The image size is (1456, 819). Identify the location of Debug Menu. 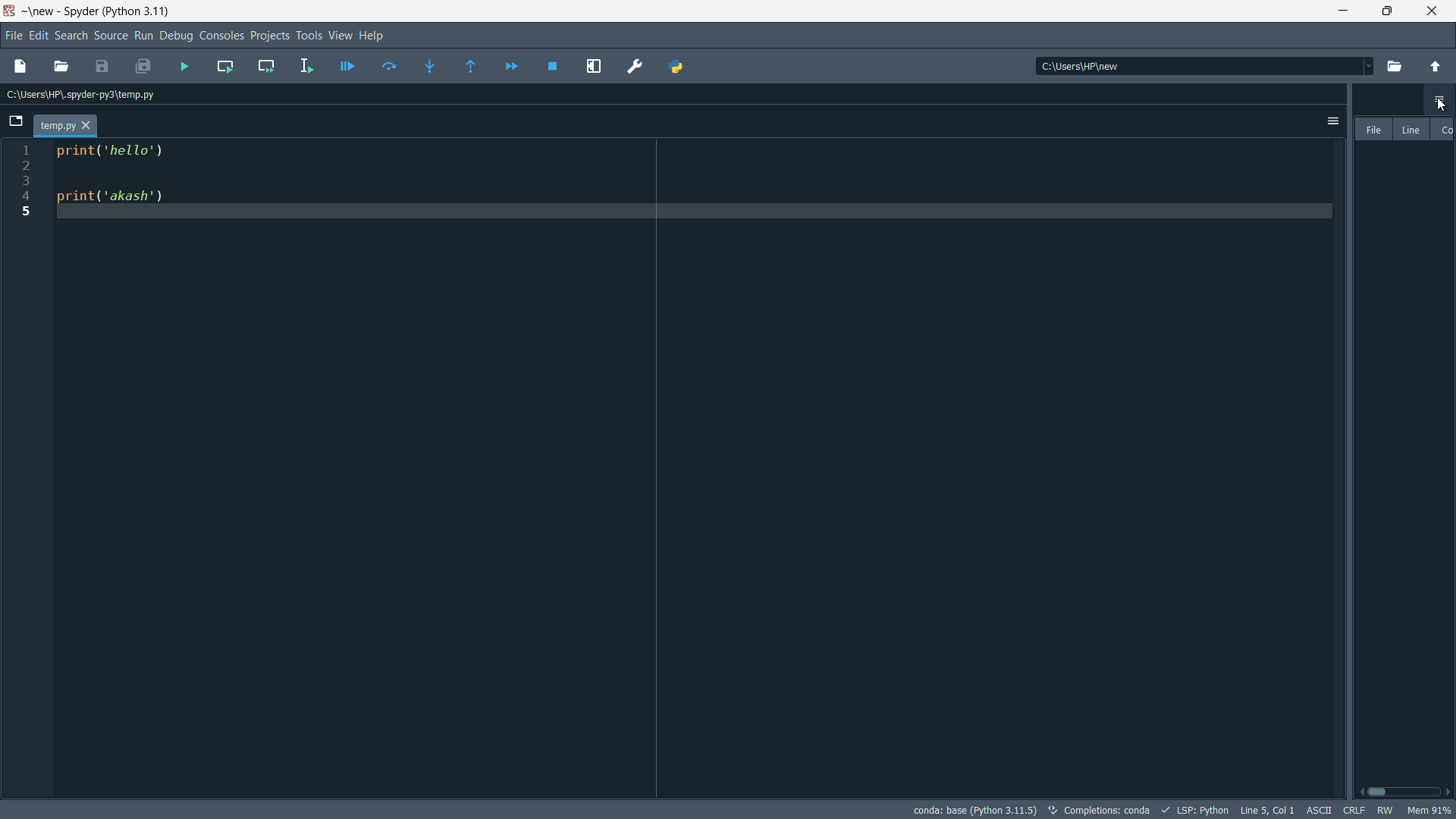
(175, 36).